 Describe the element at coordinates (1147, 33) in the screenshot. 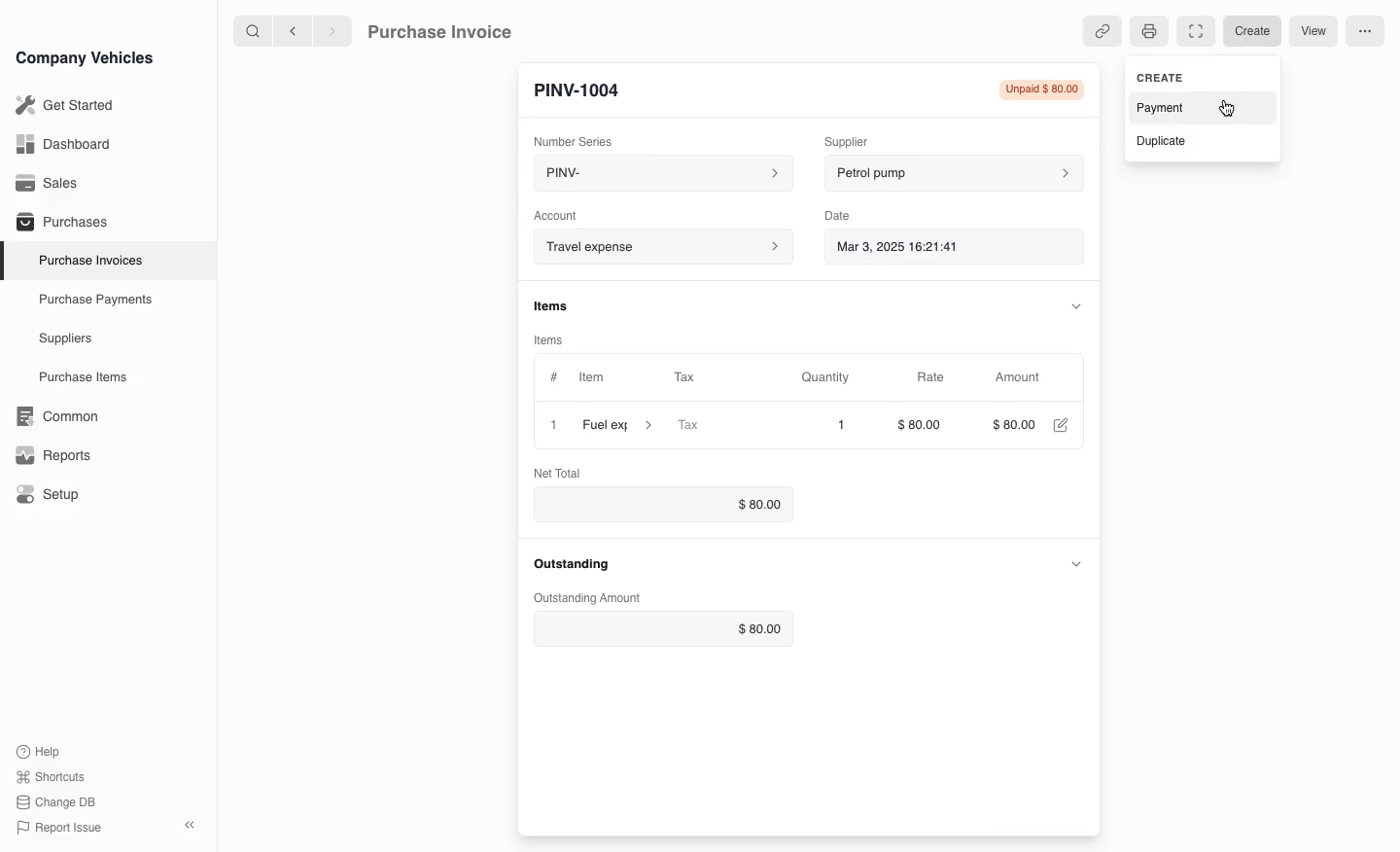

I see `print` at that location.